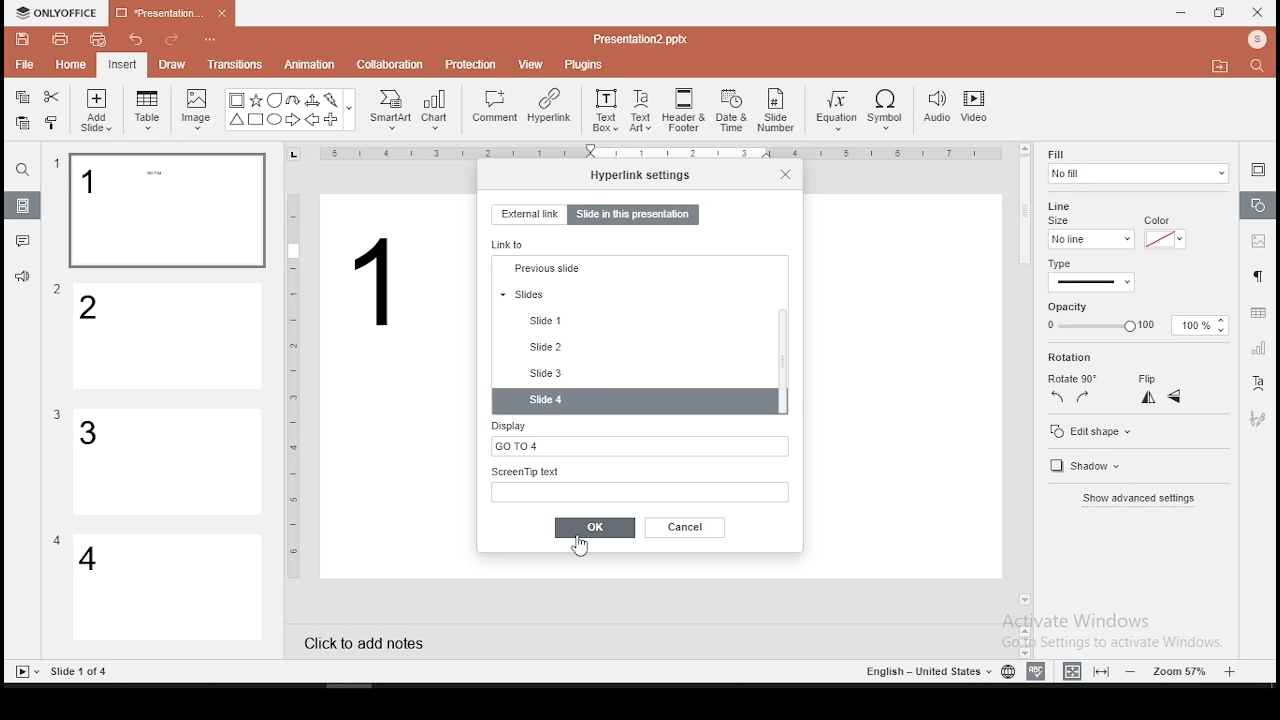 This screenshot has height=720, width=1280. I want to click on find, so click(22, 170).